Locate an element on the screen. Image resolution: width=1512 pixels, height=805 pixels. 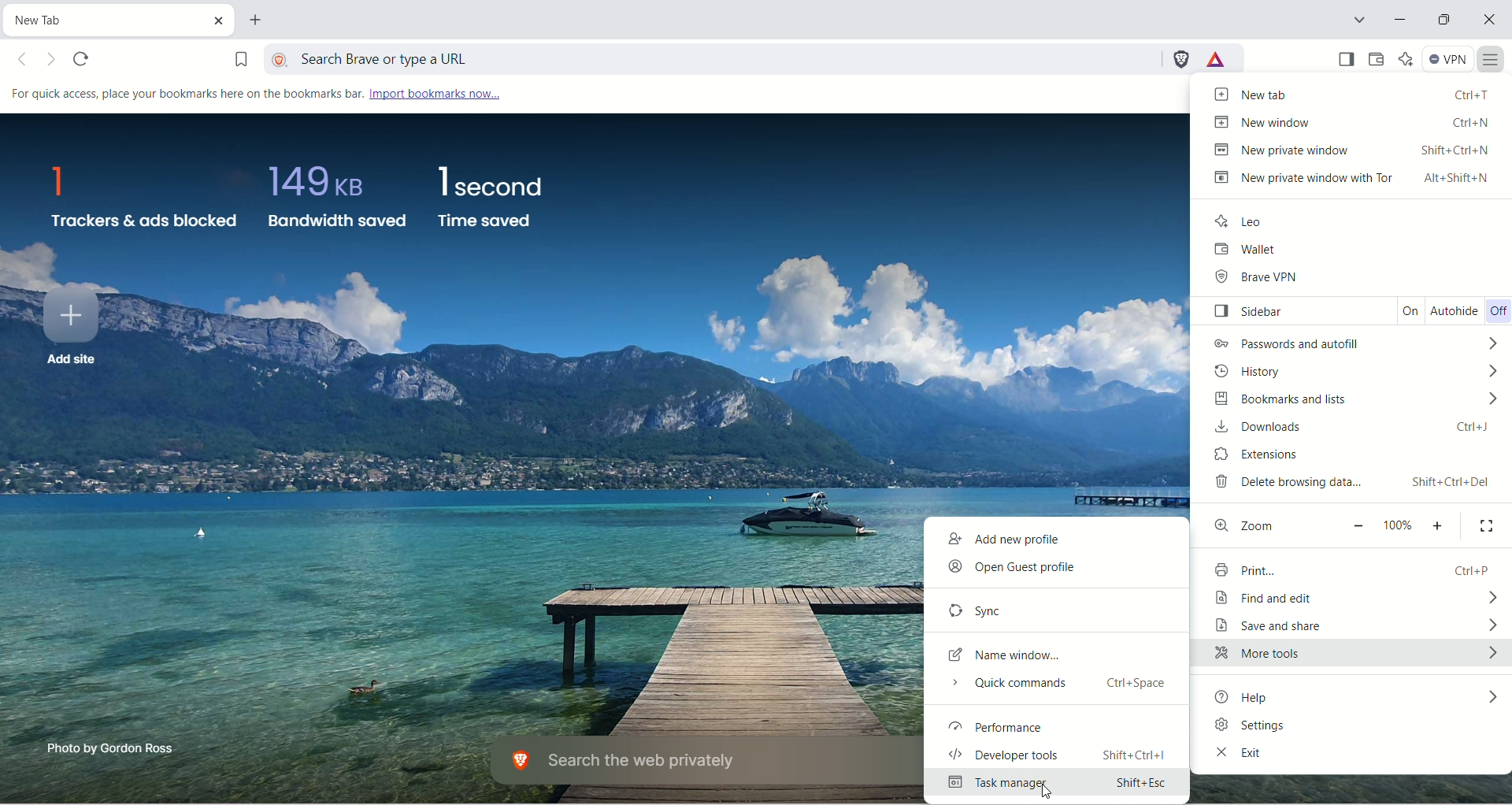
delete browsing history is located at coordinates (1353, 486).